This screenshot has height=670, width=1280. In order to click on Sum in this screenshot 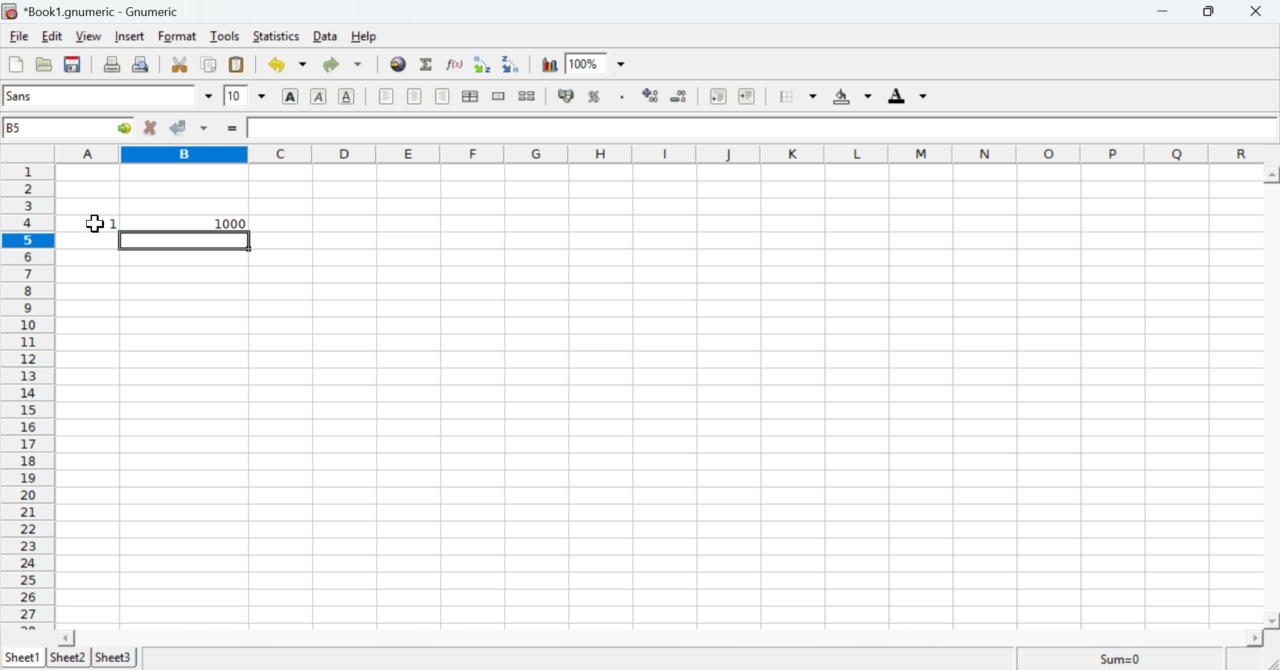, I will do `click(1124, 658)`.